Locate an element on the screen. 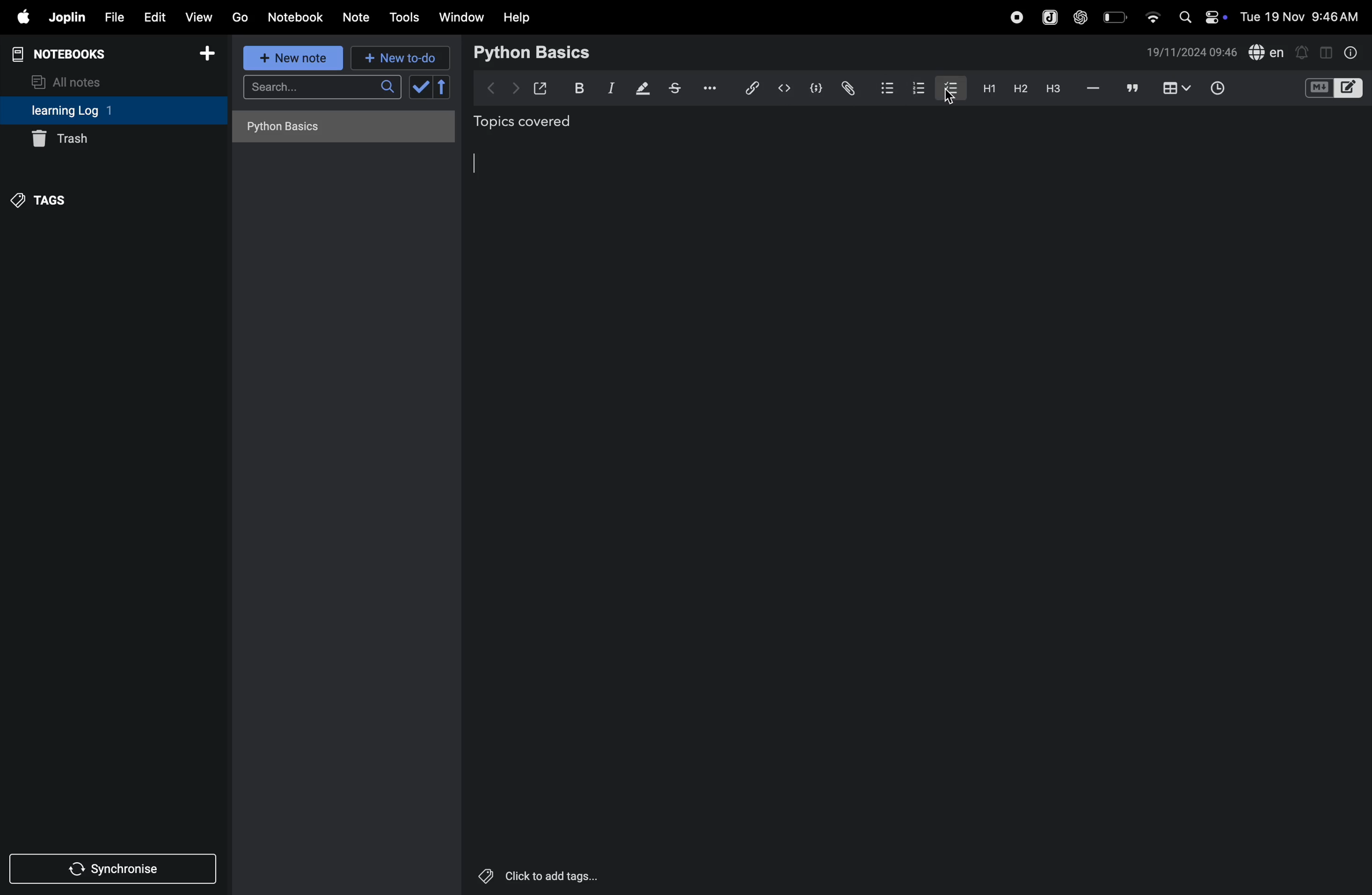 The width and height of the screenshot is (1372, 895). bold is located at coordinates (576, 88).